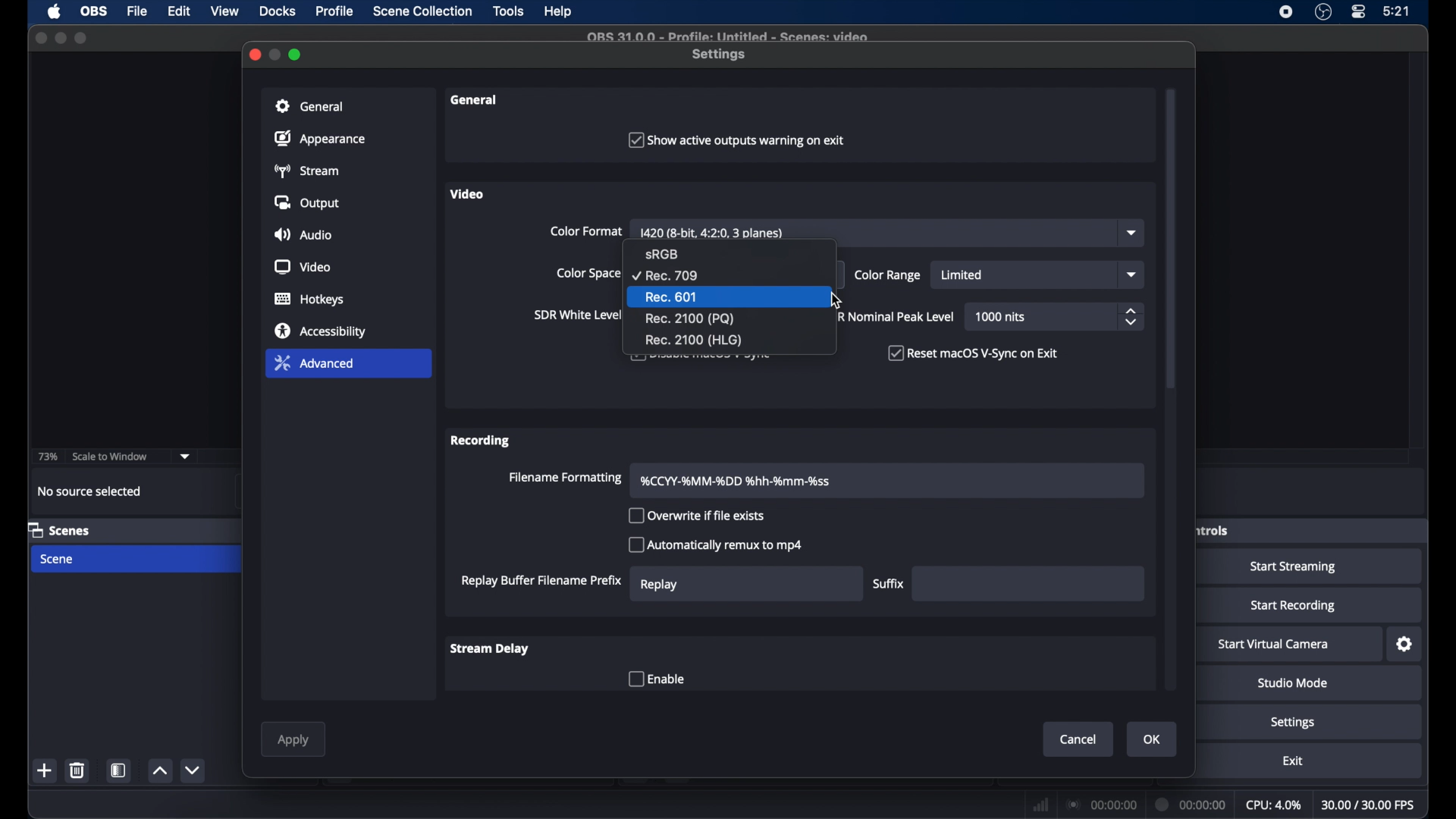  Describe the element at coordinates (1131, 275) in the screenshot. I see `dropdown` at that location.